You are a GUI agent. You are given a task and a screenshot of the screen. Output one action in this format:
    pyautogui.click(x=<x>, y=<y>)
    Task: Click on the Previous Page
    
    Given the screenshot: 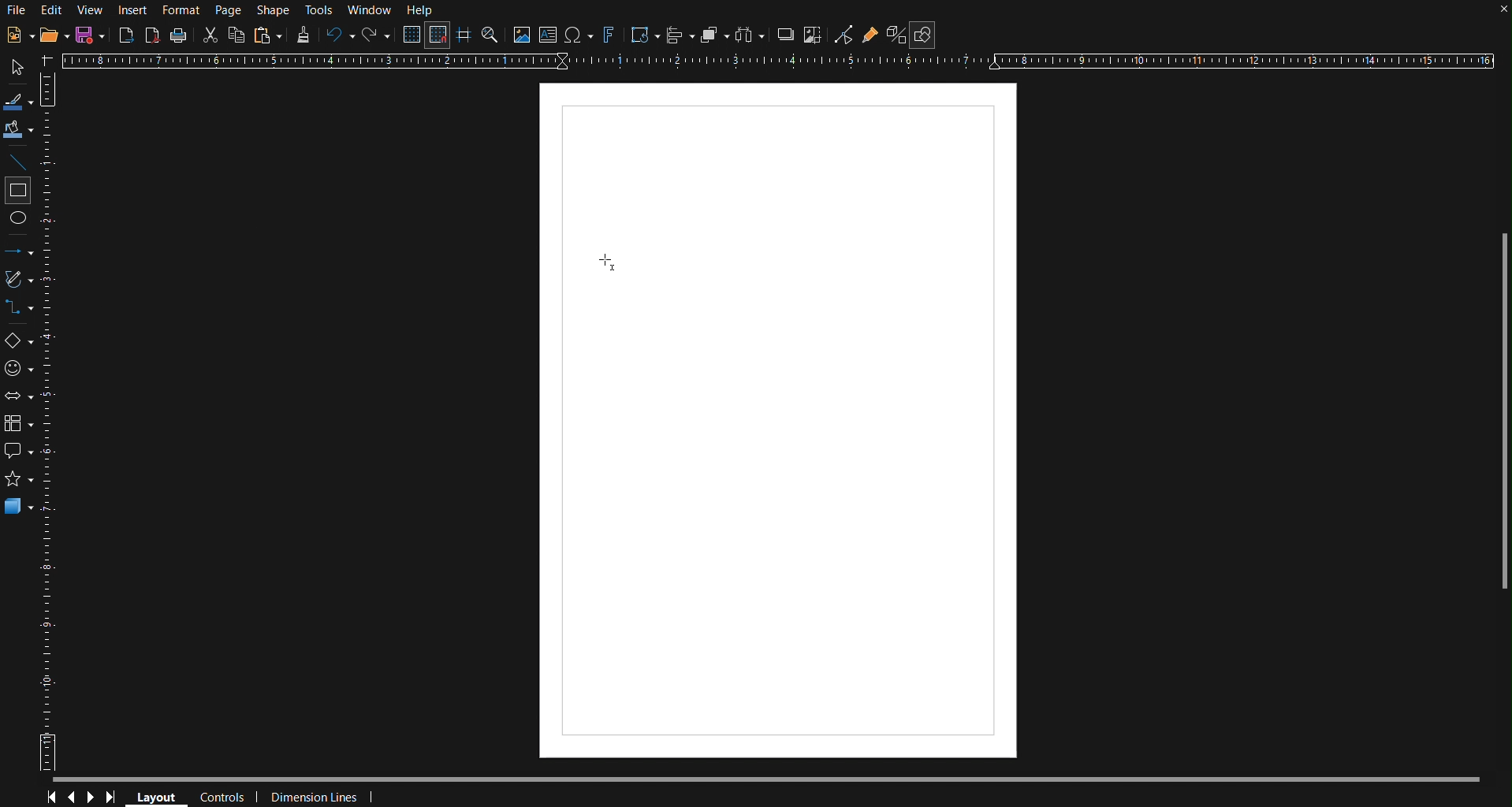 What is the action you would take?
    pyautogui.click(x=71, y=798)
    